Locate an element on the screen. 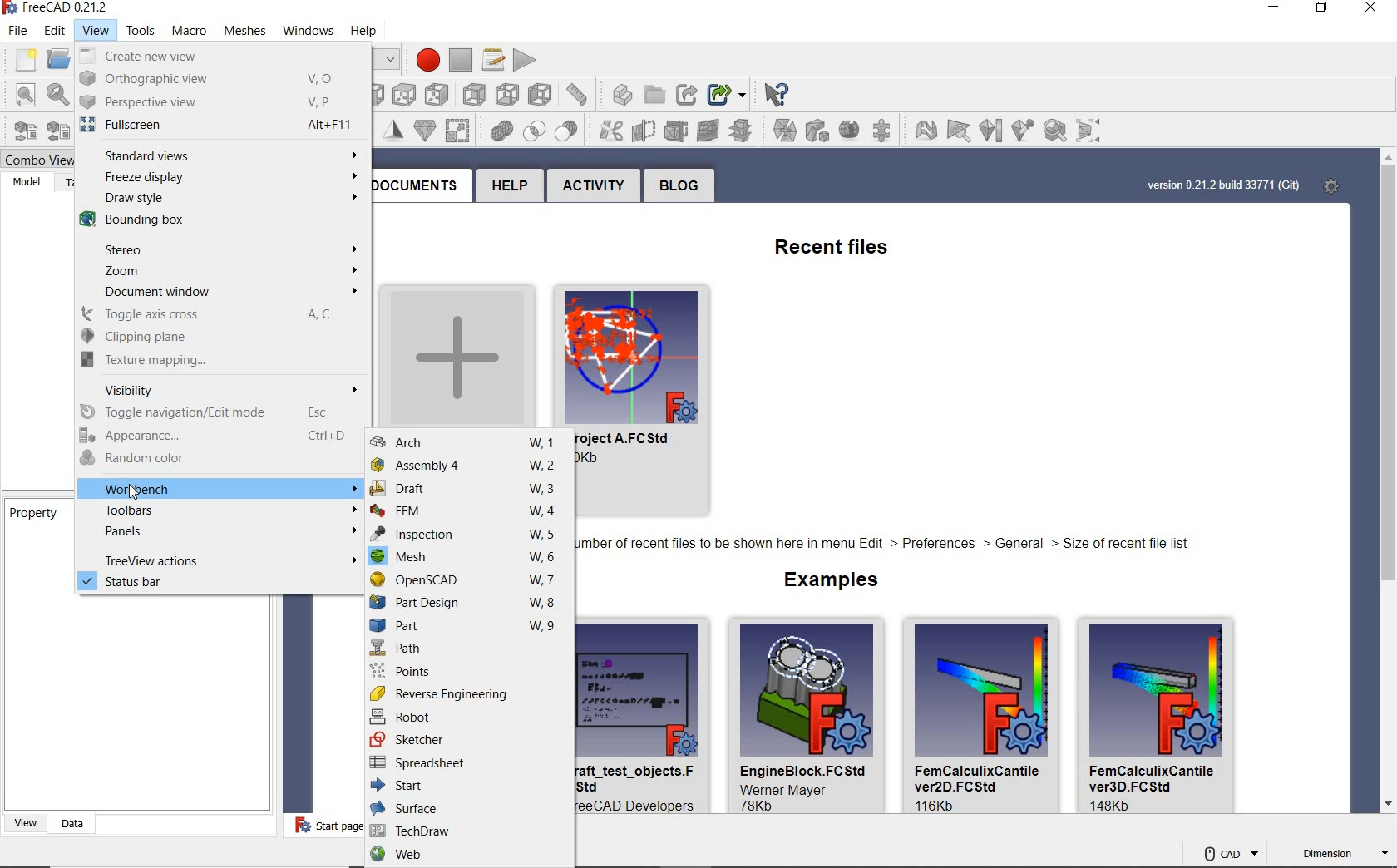  restore down is located at coordinates (389, 60).